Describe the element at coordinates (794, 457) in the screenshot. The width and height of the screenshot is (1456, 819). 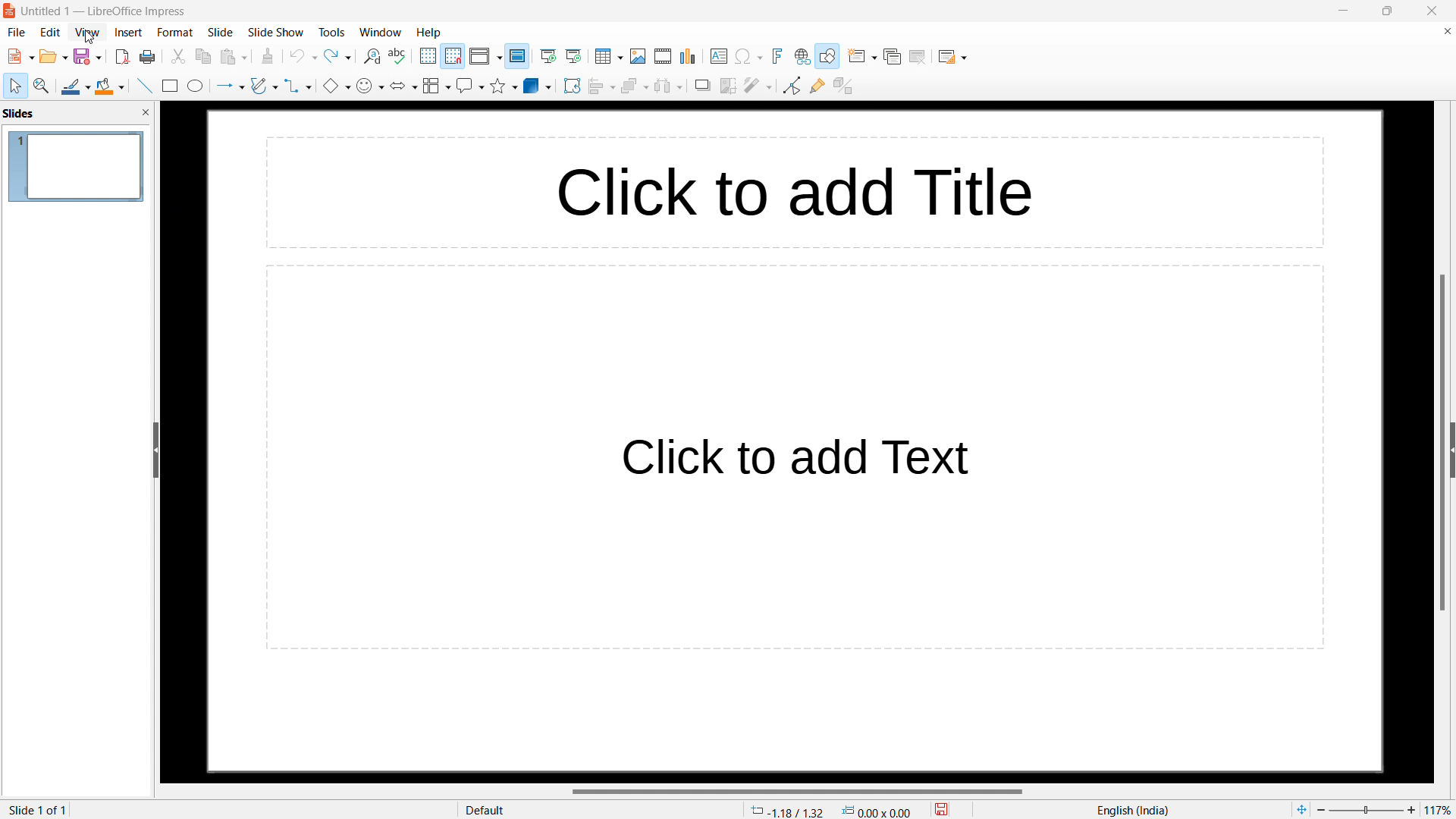
I see `click to add text` at that location.